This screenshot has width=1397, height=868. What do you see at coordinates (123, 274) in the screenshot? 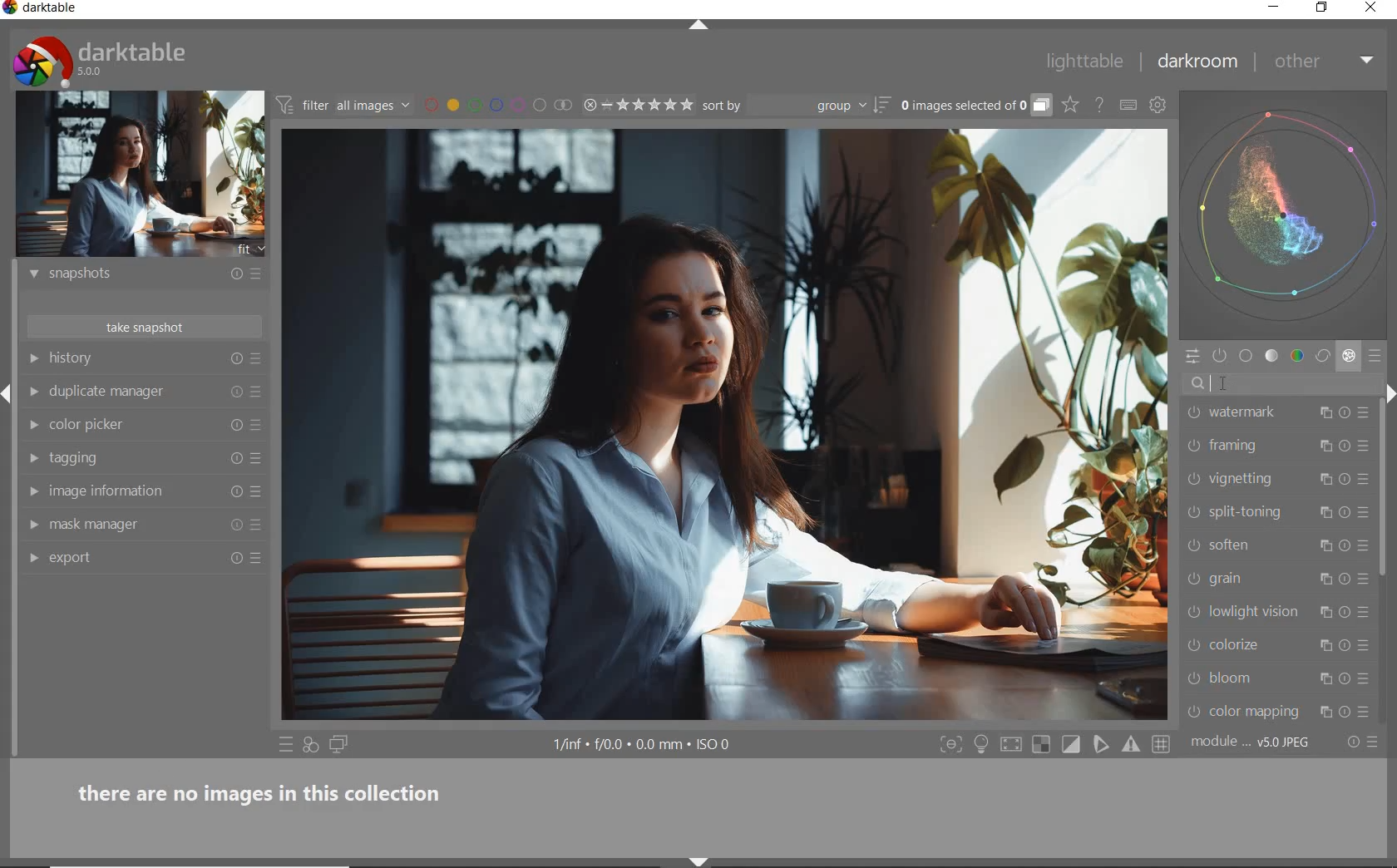
I see `snapshots` at bounding box center [123, 274].